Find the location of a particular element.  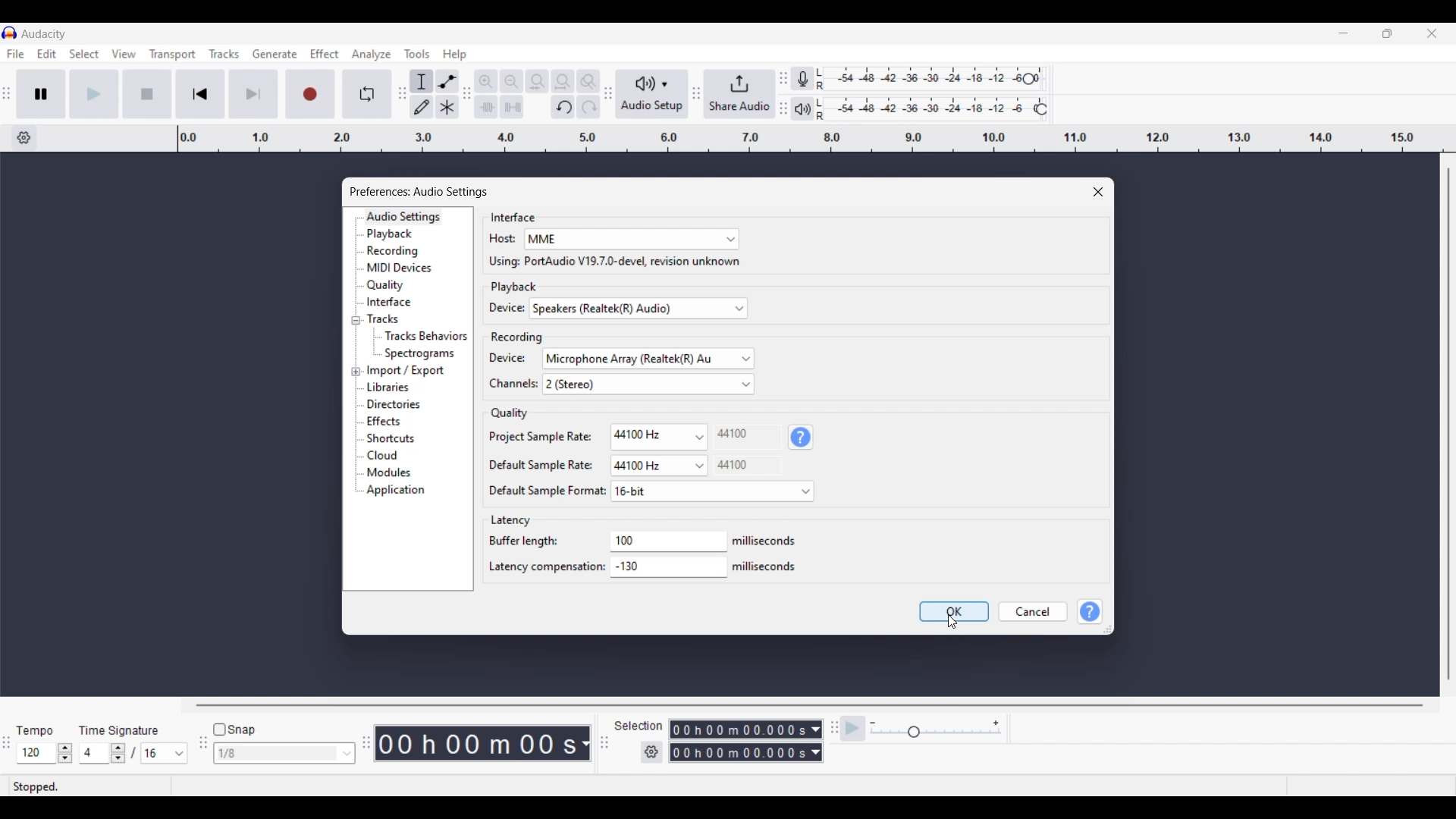

Redo is located at coordinates (588, 106).